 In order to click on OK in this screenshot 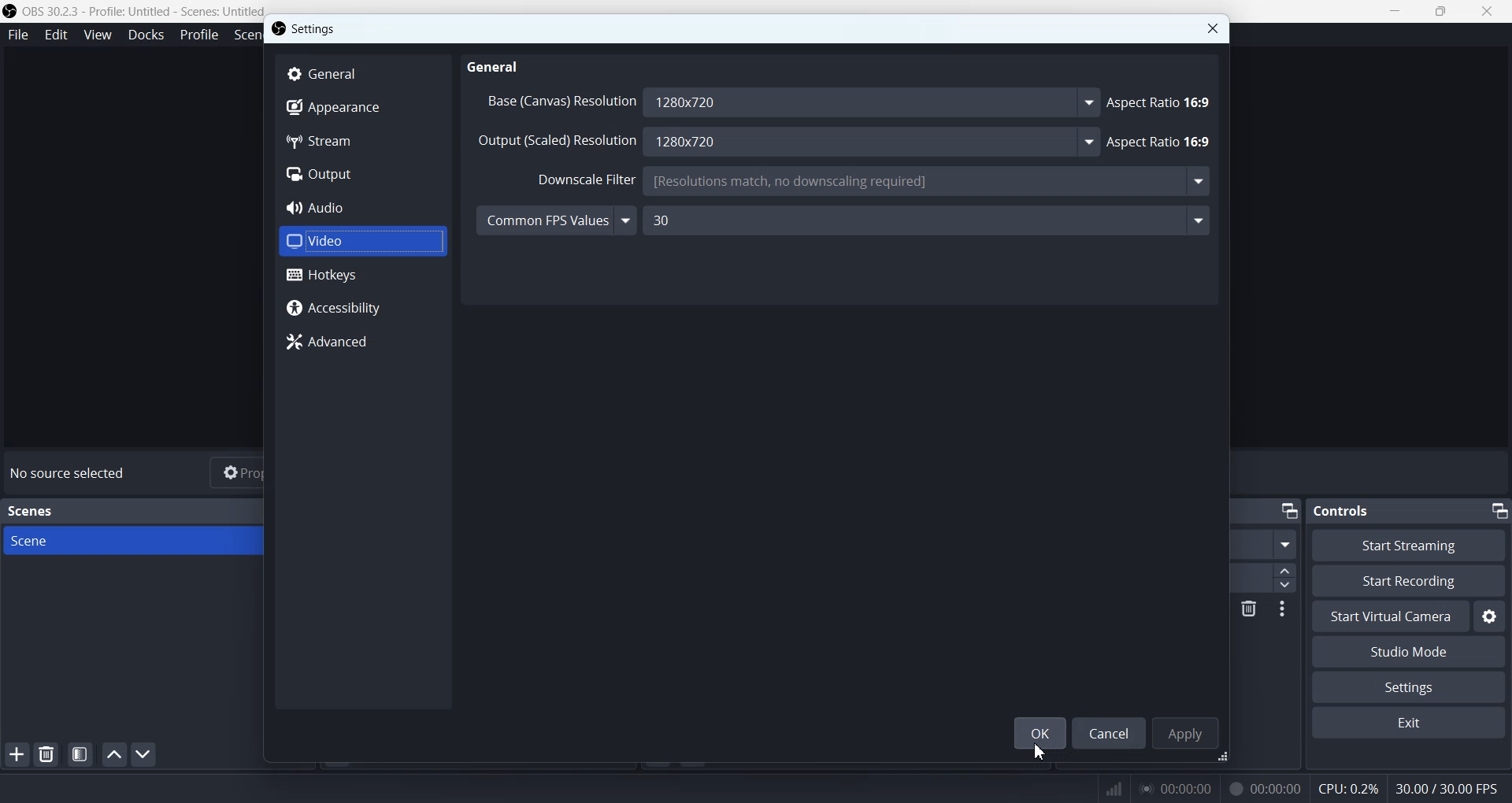, I will do `click(1039, 733)`.